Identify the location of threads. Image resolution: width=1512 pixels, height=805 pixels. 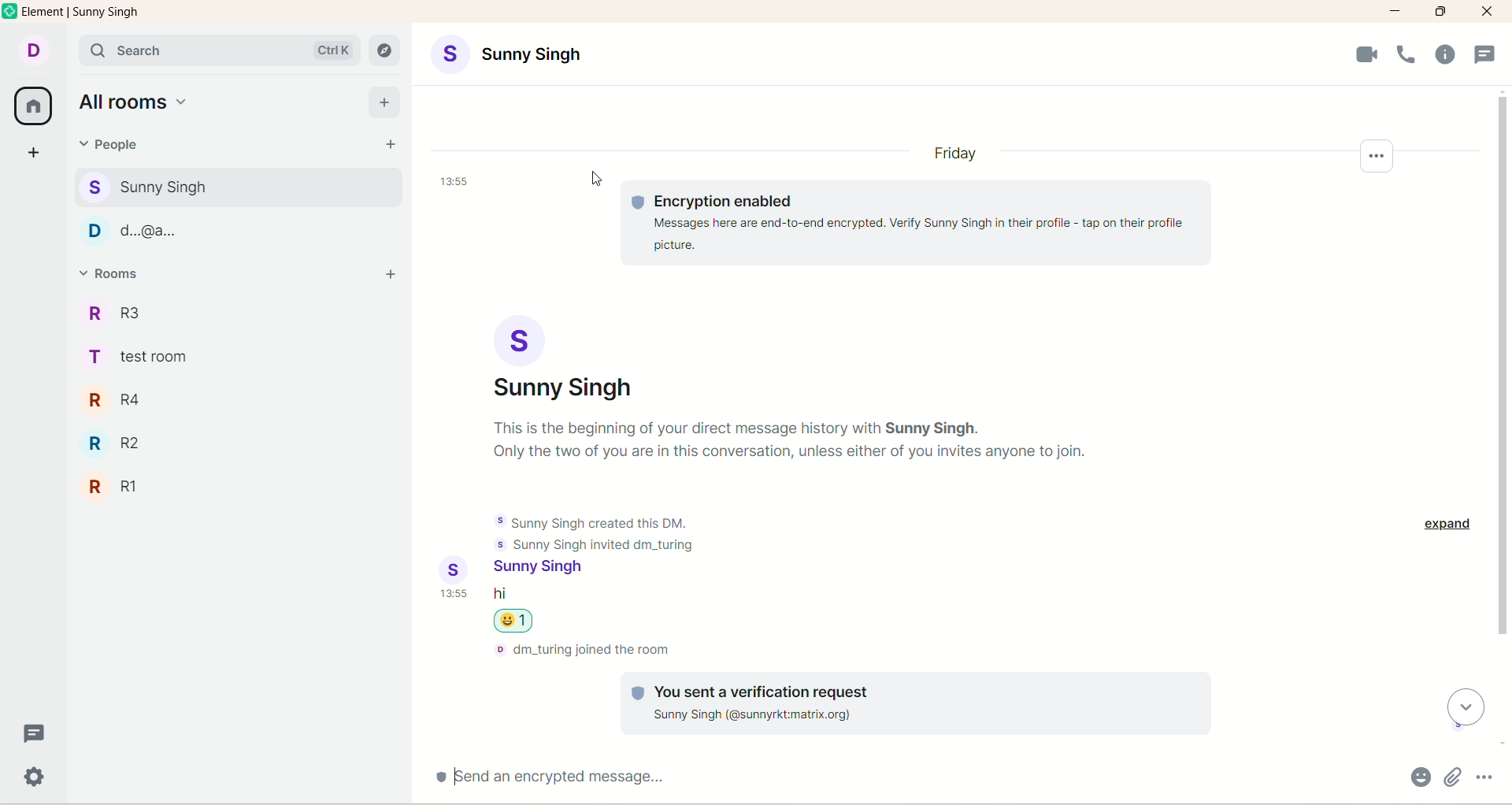
(34, 732).